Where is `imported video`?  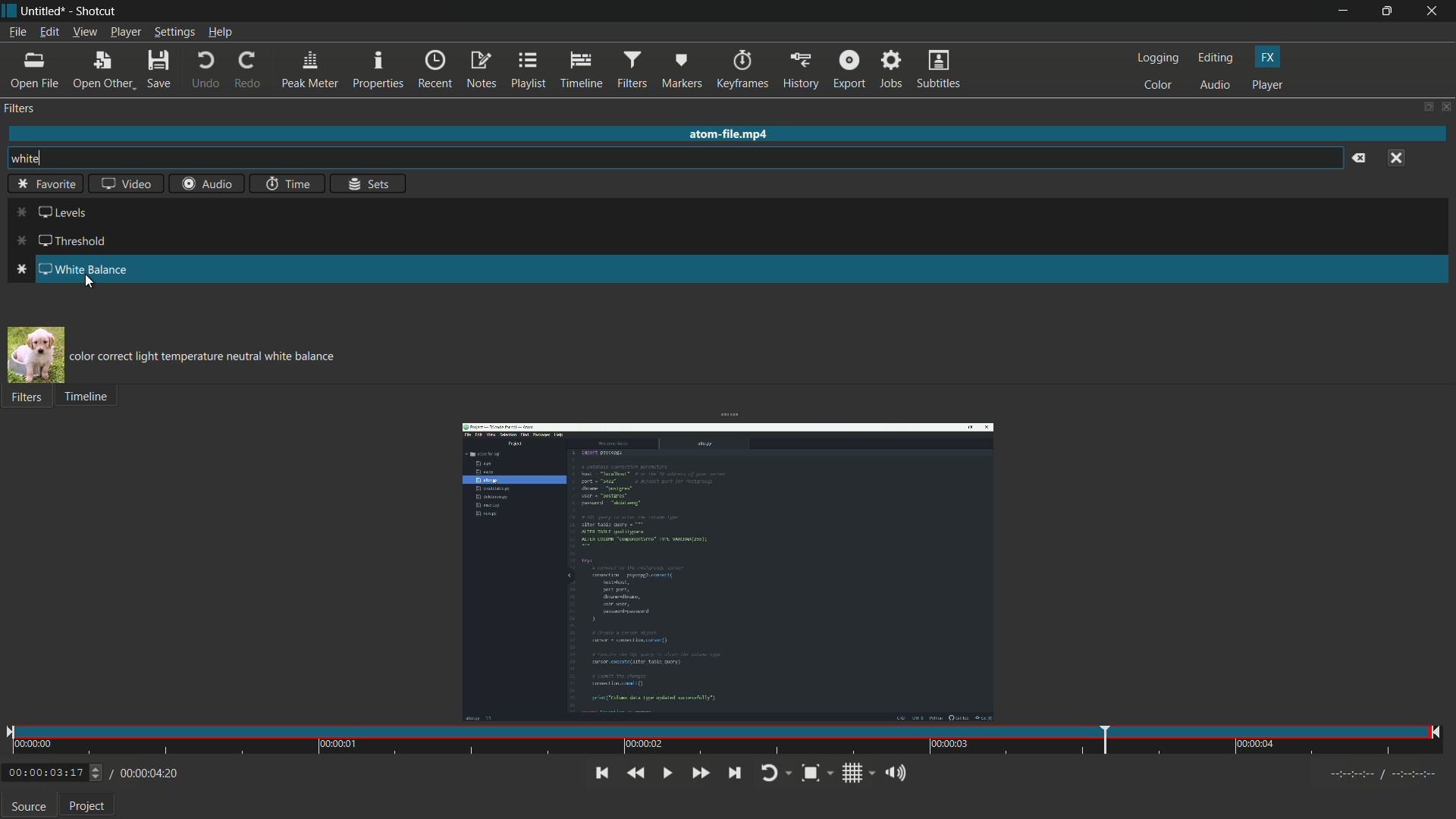 imported video is located at coordinates (729, 572).